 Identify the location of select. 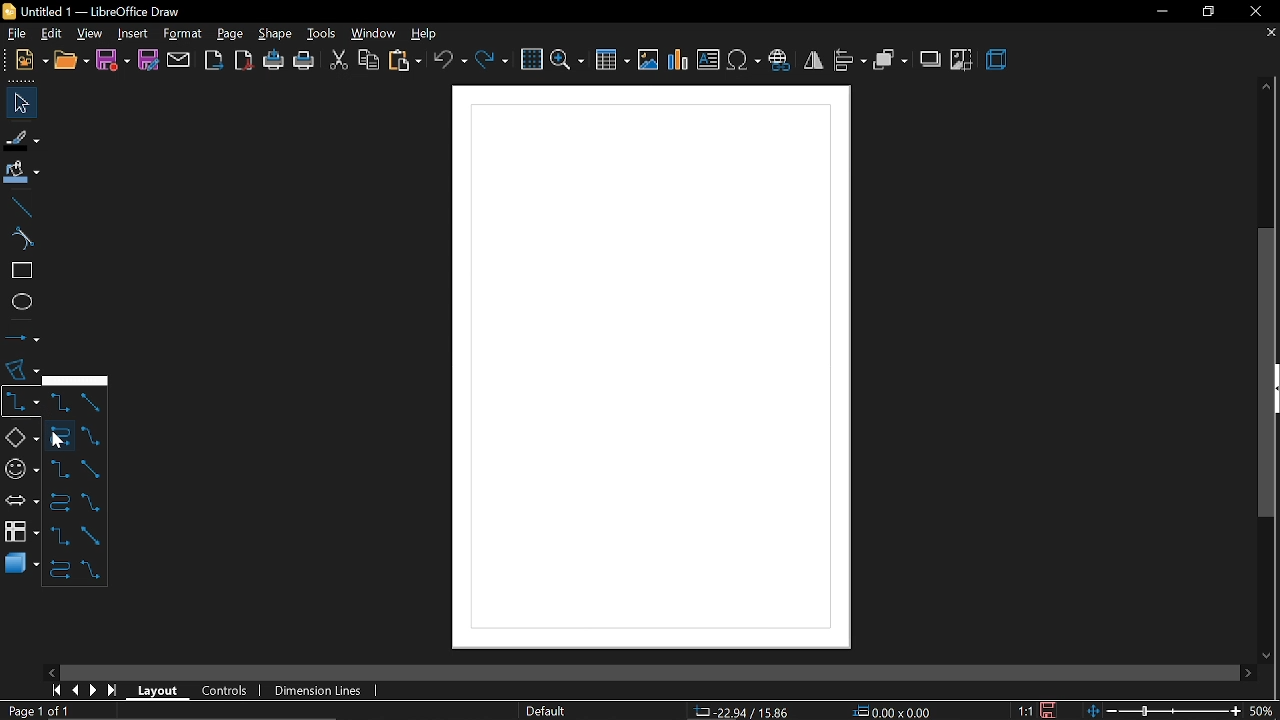
(18, 103).